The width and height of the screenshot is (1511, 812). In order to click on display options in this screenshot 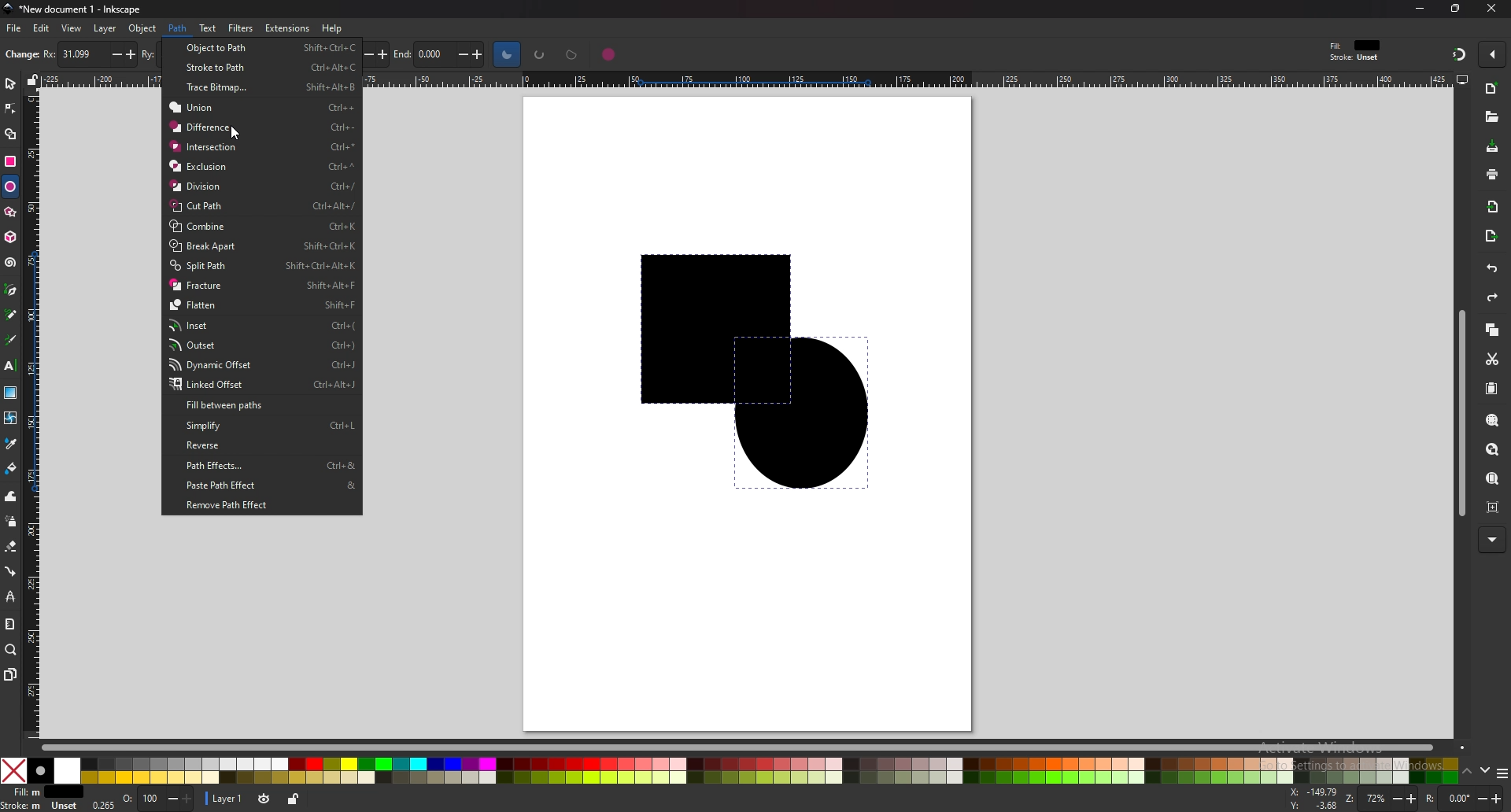, I will do `click(1461, 79)`.